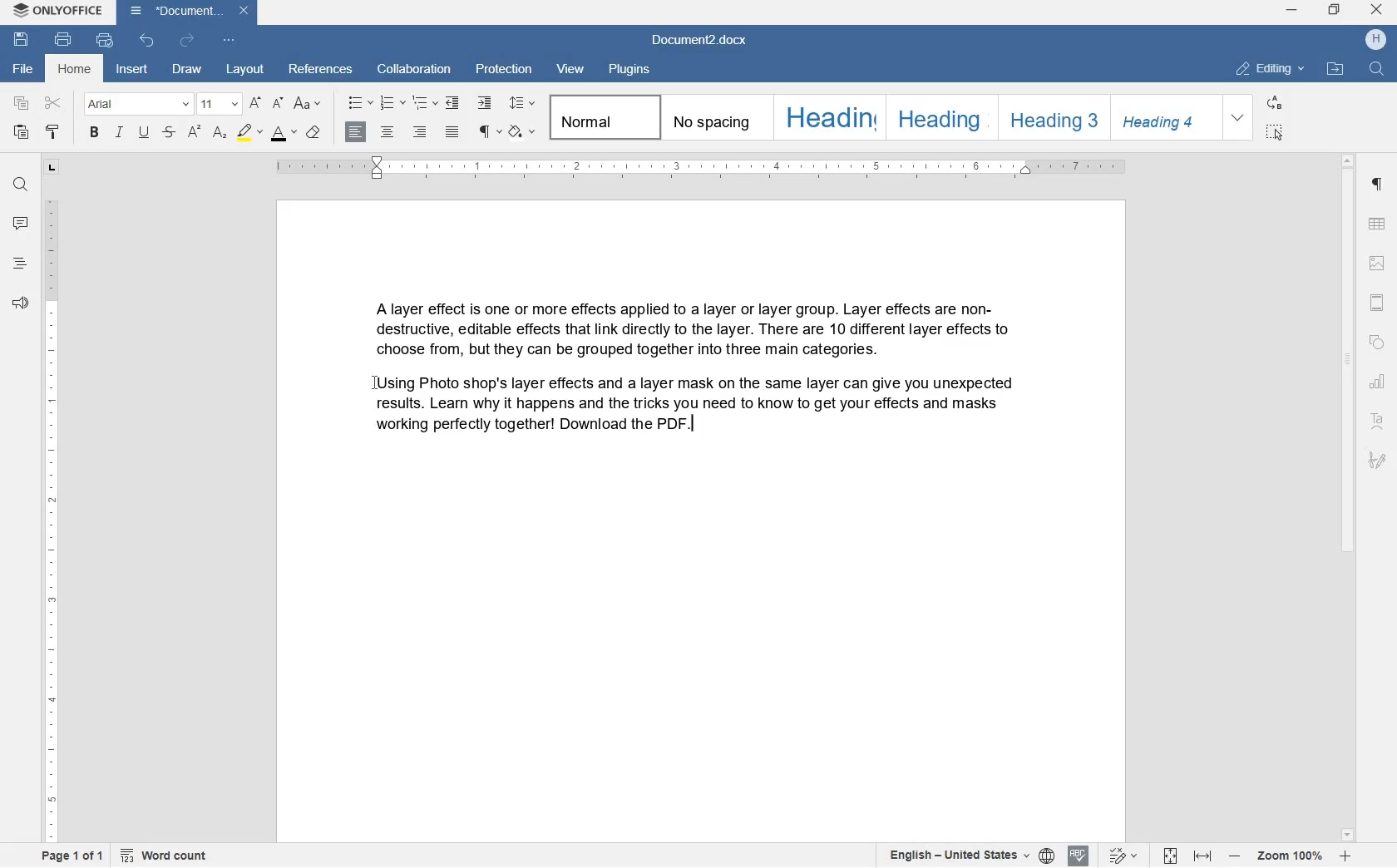 This screenshot has width=1397, height=868. Describe the element at coordinates (133, 72) in the screenshot. I see `INSERT` at that location.